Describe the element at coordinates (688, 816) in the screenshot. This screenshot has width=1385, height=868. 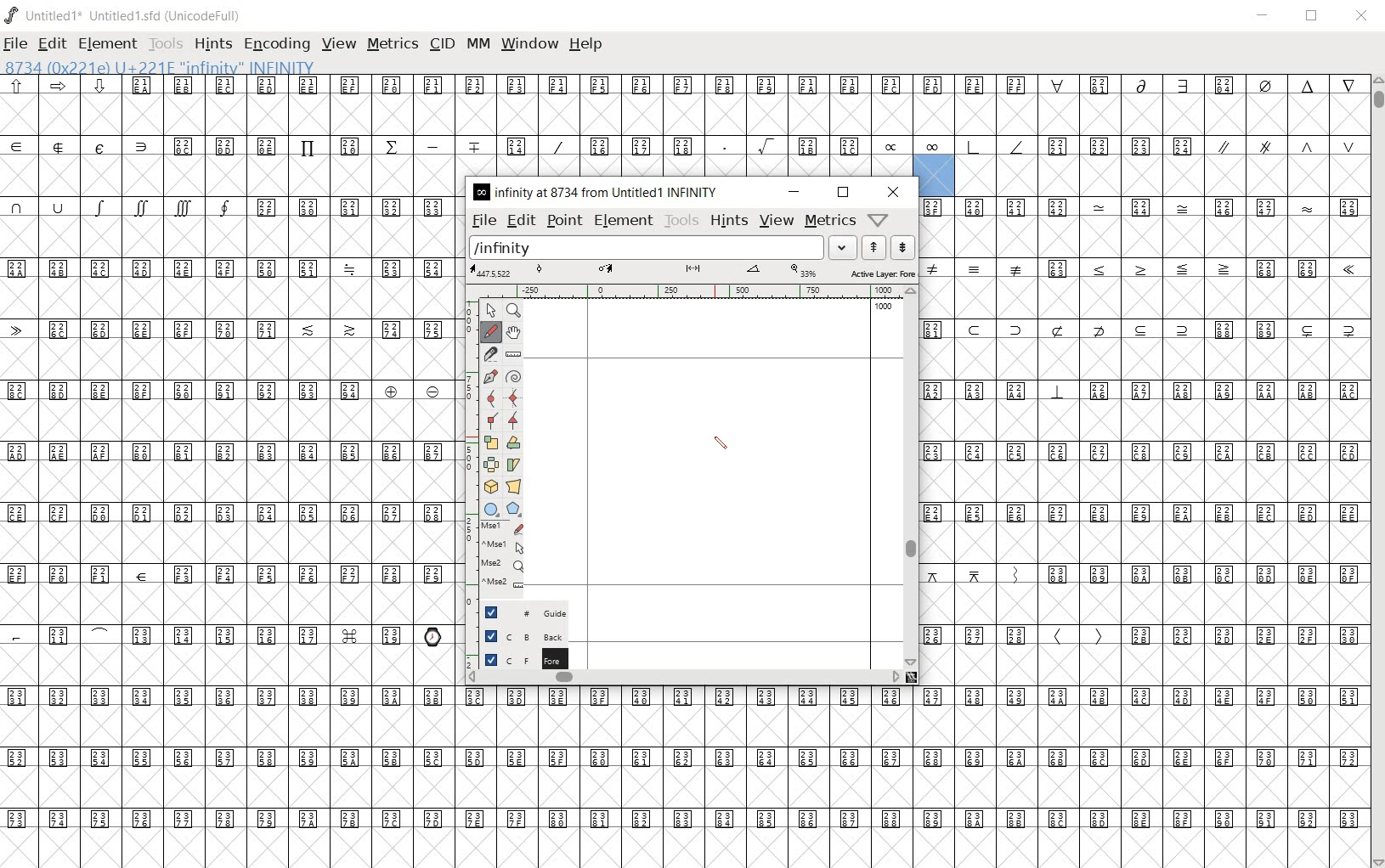
I see `Unicode code points` at that location.